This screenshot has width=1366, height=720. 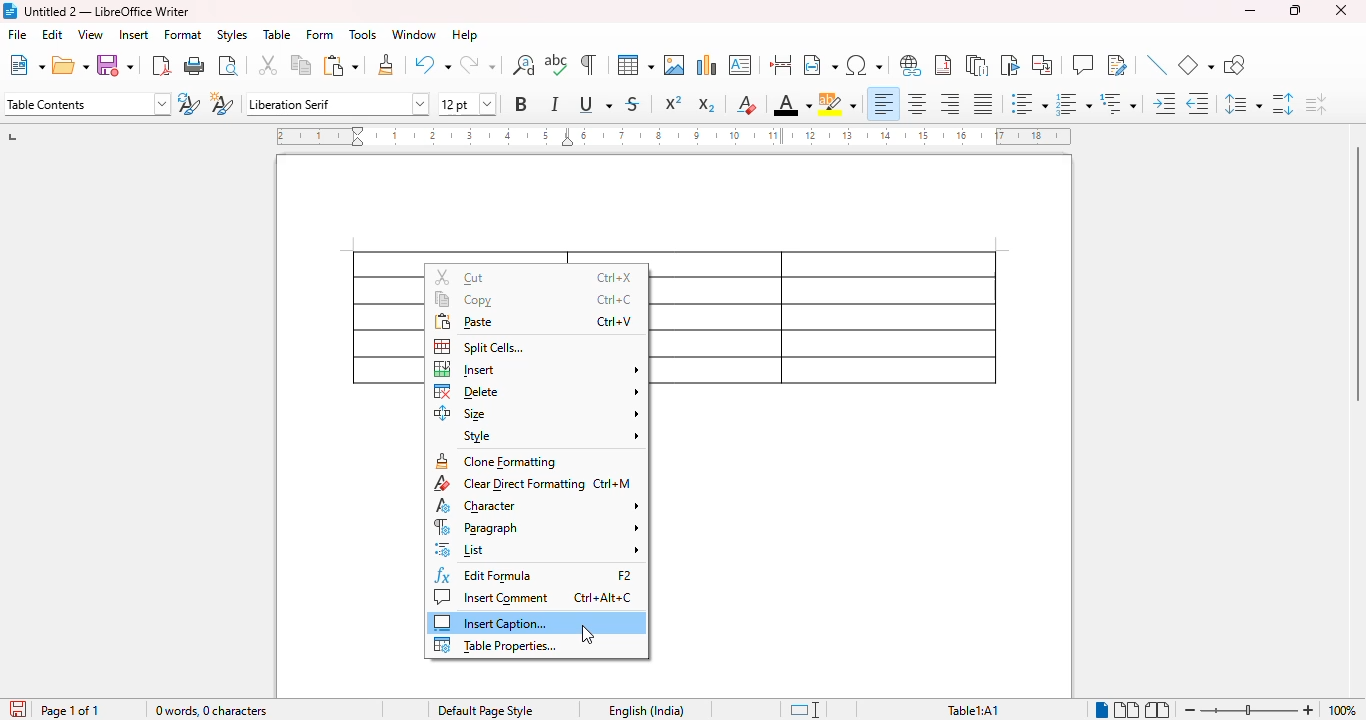 What do you see at coordinates (161, 66) in the screenshot?
I see `export directly as PDF` at bounding box center [161, 66].